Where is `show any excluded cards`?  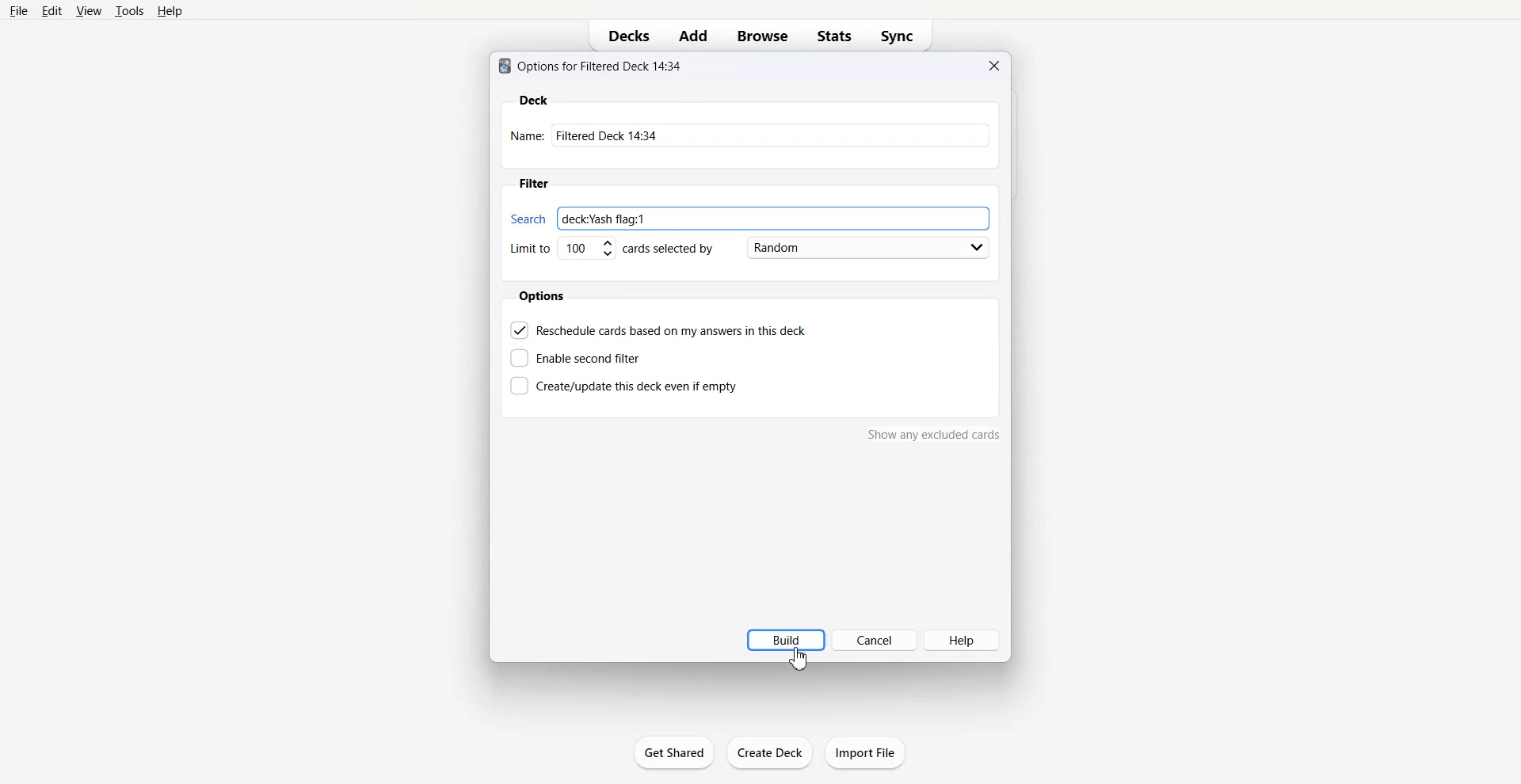 show any excluded cards is located at coordinates (934, 434).